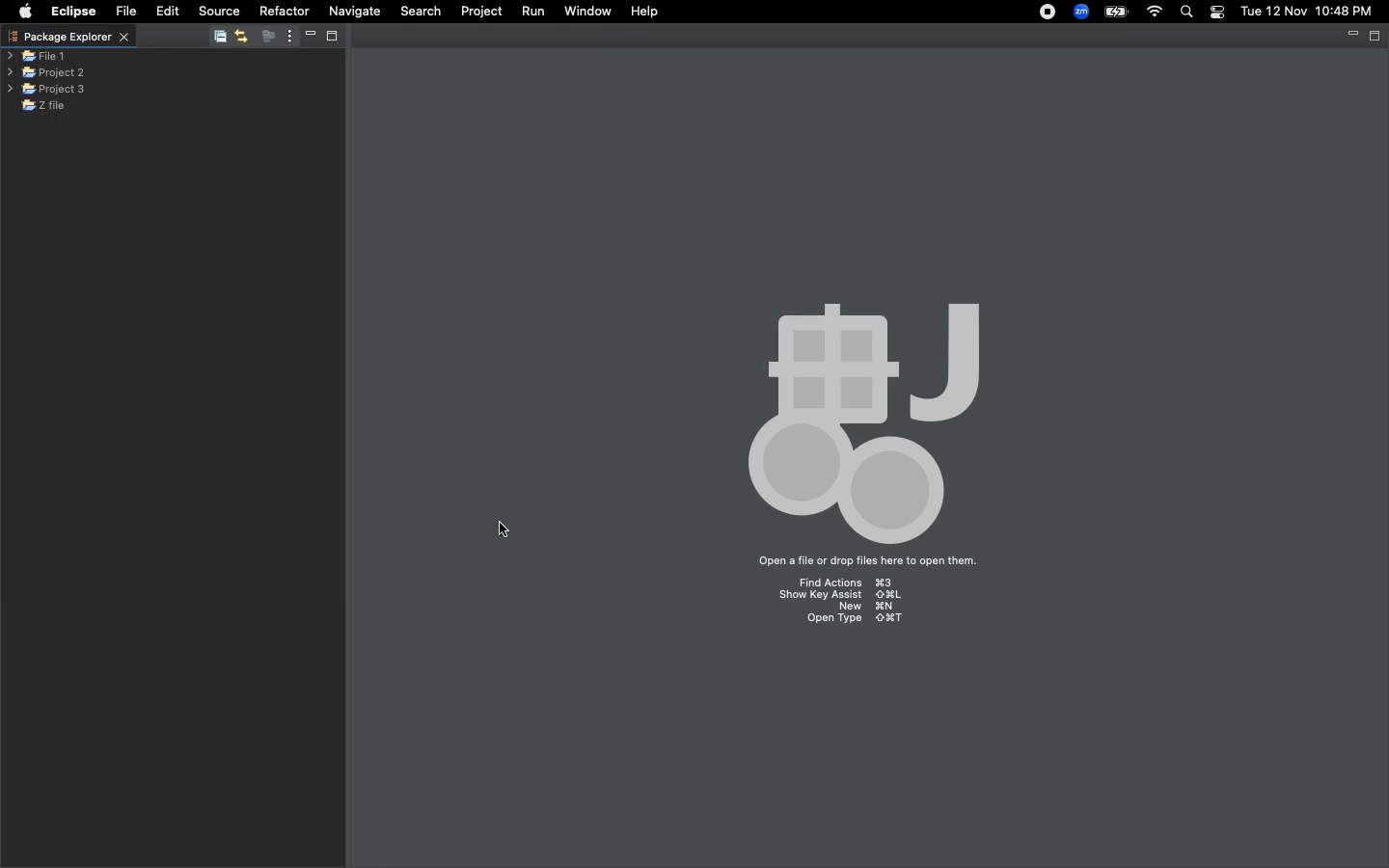  What do you see at coordinates (1216, 14) in the screenshot?
I see `Notification bar` at bounding box center [1216, 14].